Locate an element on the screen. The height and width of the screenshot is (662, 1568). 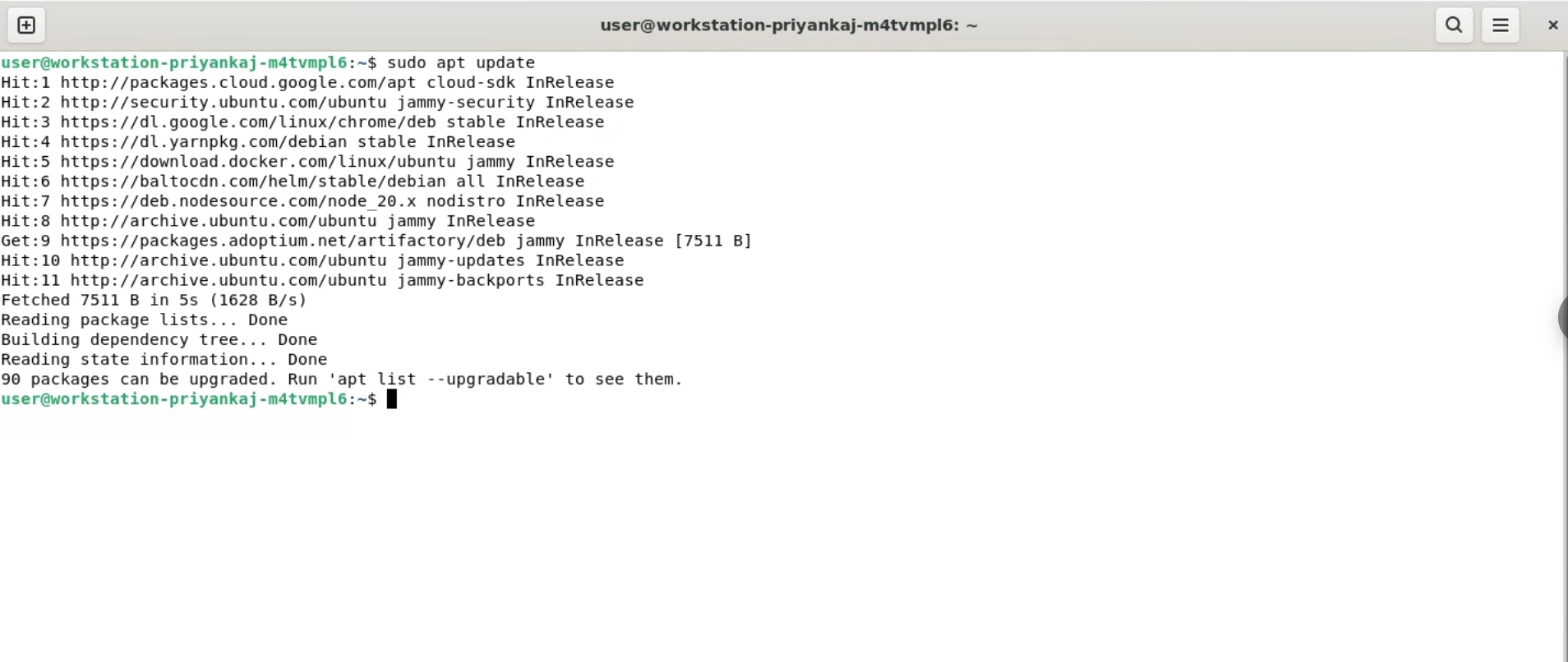
user@workstation-priyankaj-m4tvmpl6:~$ | is located at coordinates (199, 401).